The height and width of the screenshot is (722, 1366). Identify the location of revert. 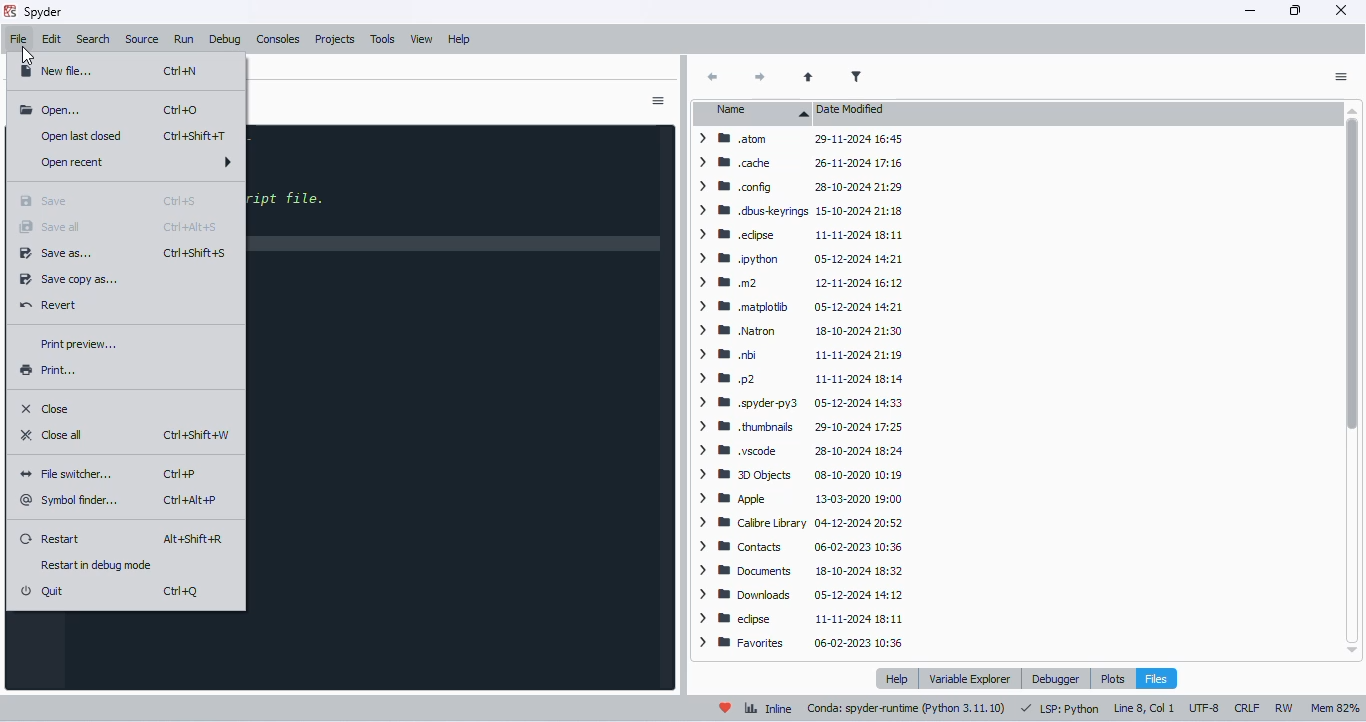
(48, 305).